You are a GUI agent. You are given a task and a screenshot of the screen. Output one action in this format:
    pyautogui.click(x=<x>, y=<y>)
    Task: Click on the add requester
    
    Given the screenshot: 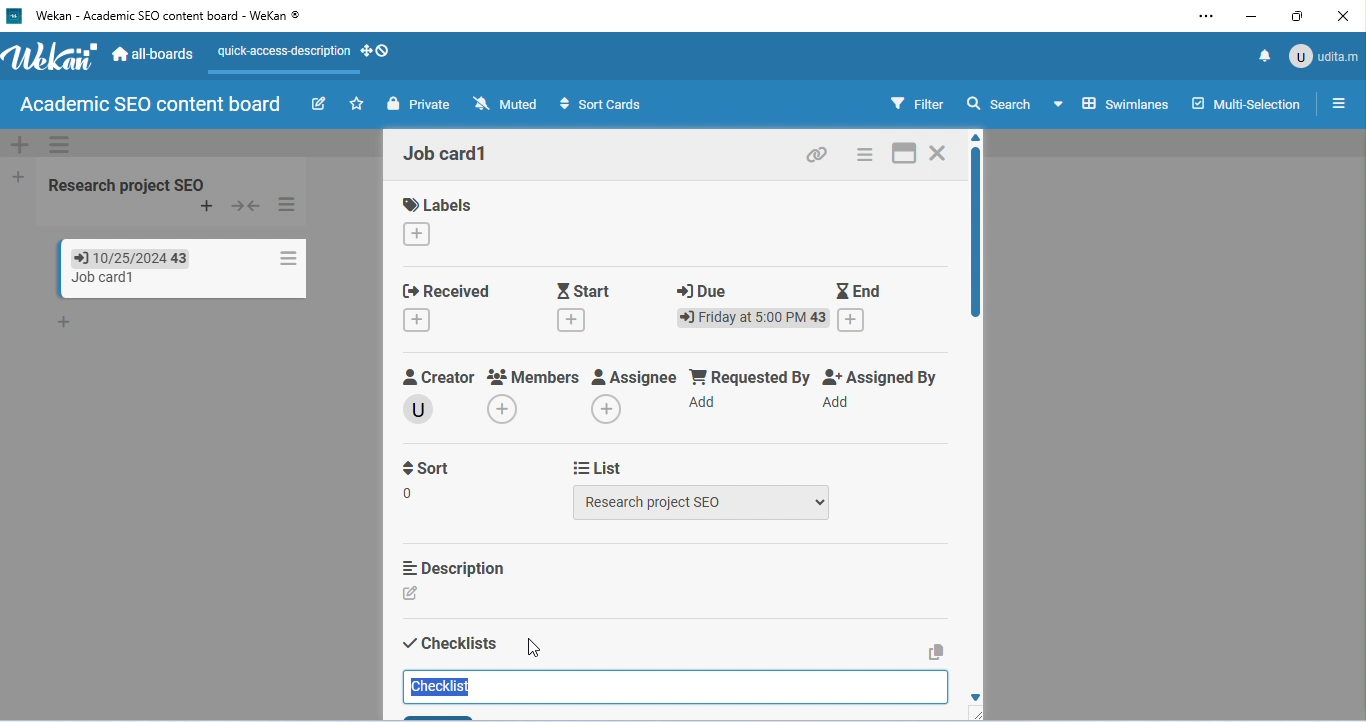 What is the action you would take?
    pyautogui.click(x=706, y=403)
    